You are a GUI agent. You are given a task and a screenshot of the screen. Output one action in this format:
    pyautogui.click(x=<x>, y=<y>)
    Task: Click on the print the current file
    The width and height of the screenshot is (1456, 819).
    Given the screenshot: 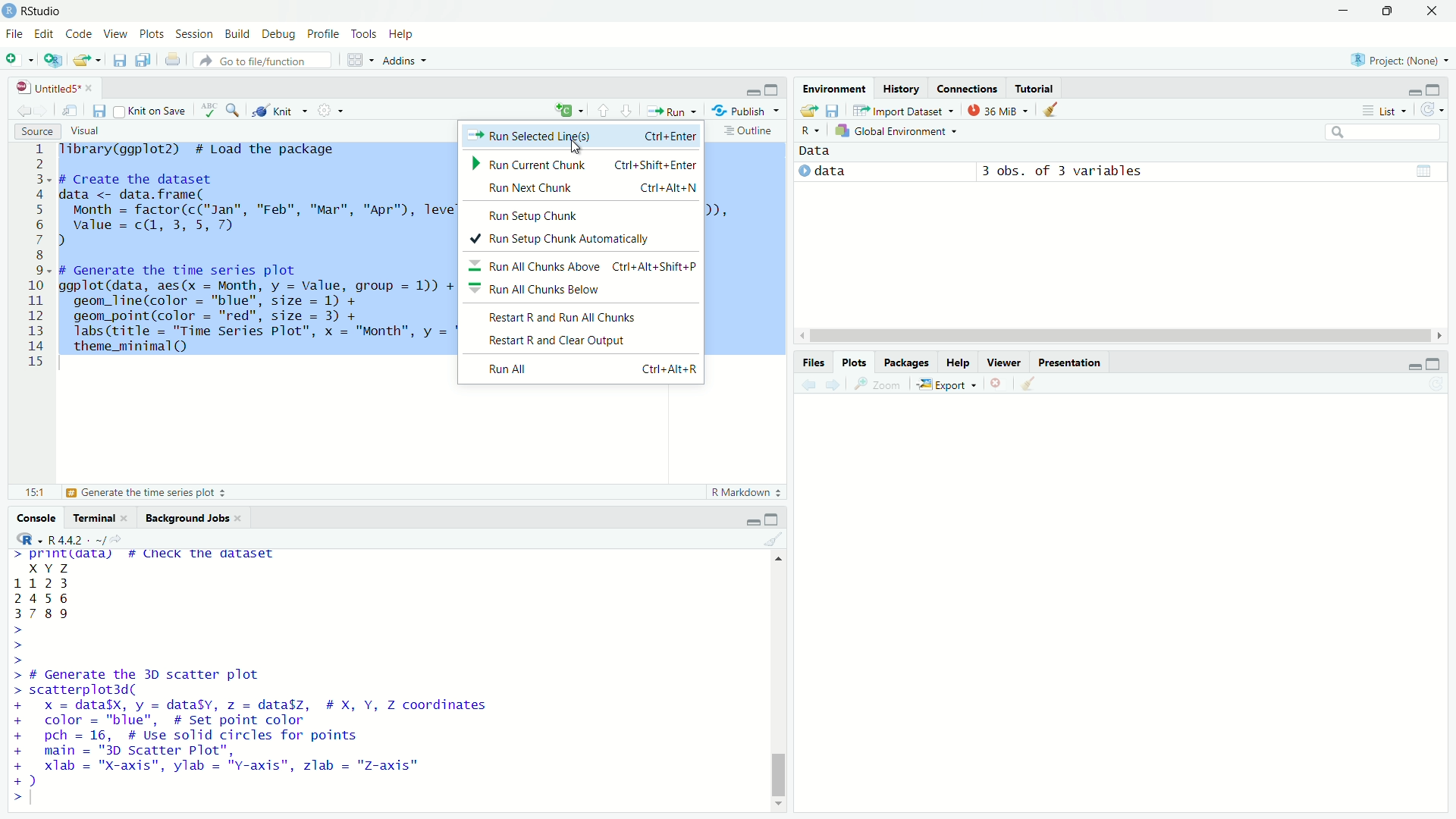 What is the action you would take?
    pyautogui.click(x=171, y=59)
    